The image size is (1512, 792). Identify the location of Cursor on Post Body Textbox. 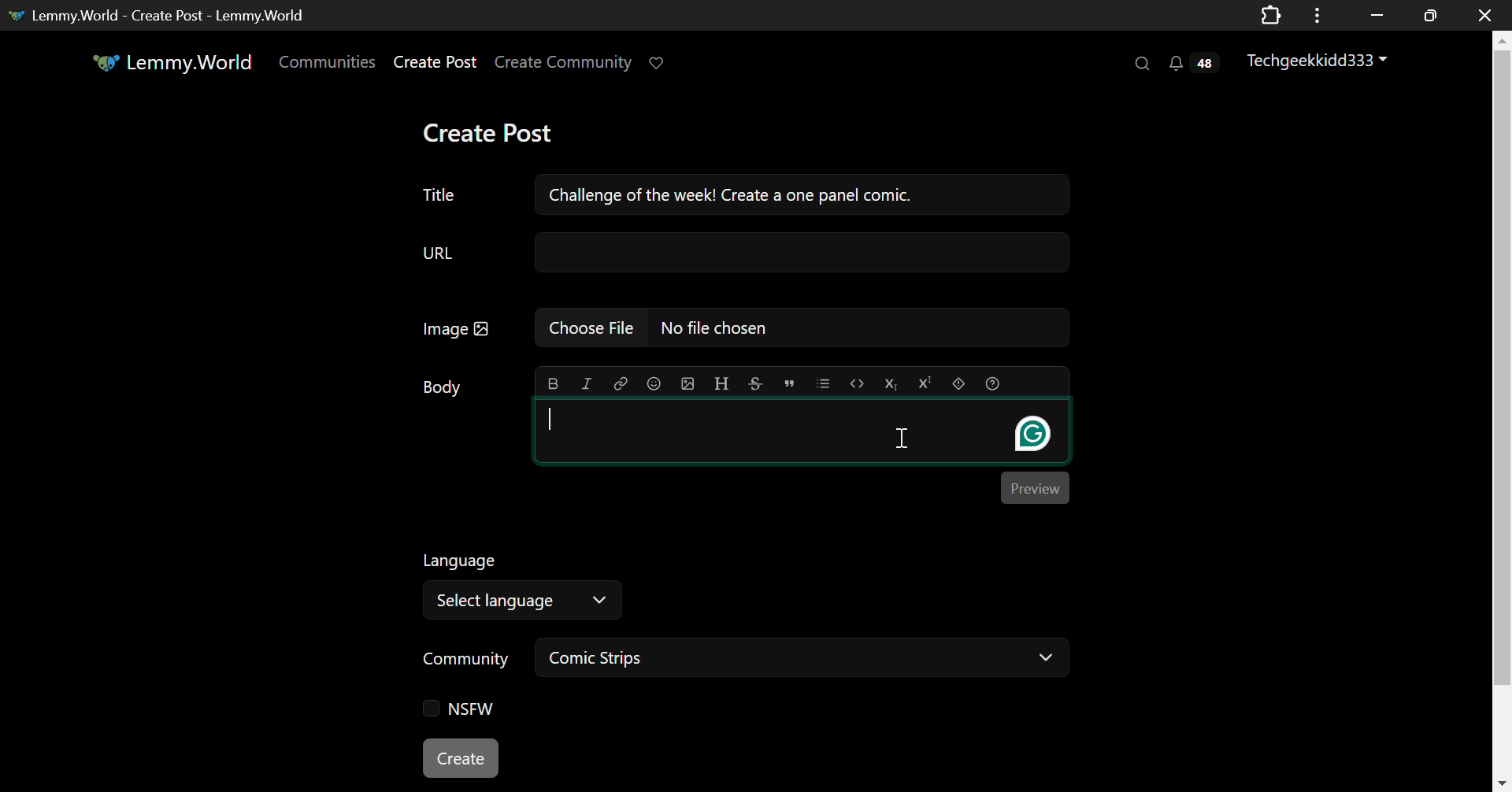
(902, 436).